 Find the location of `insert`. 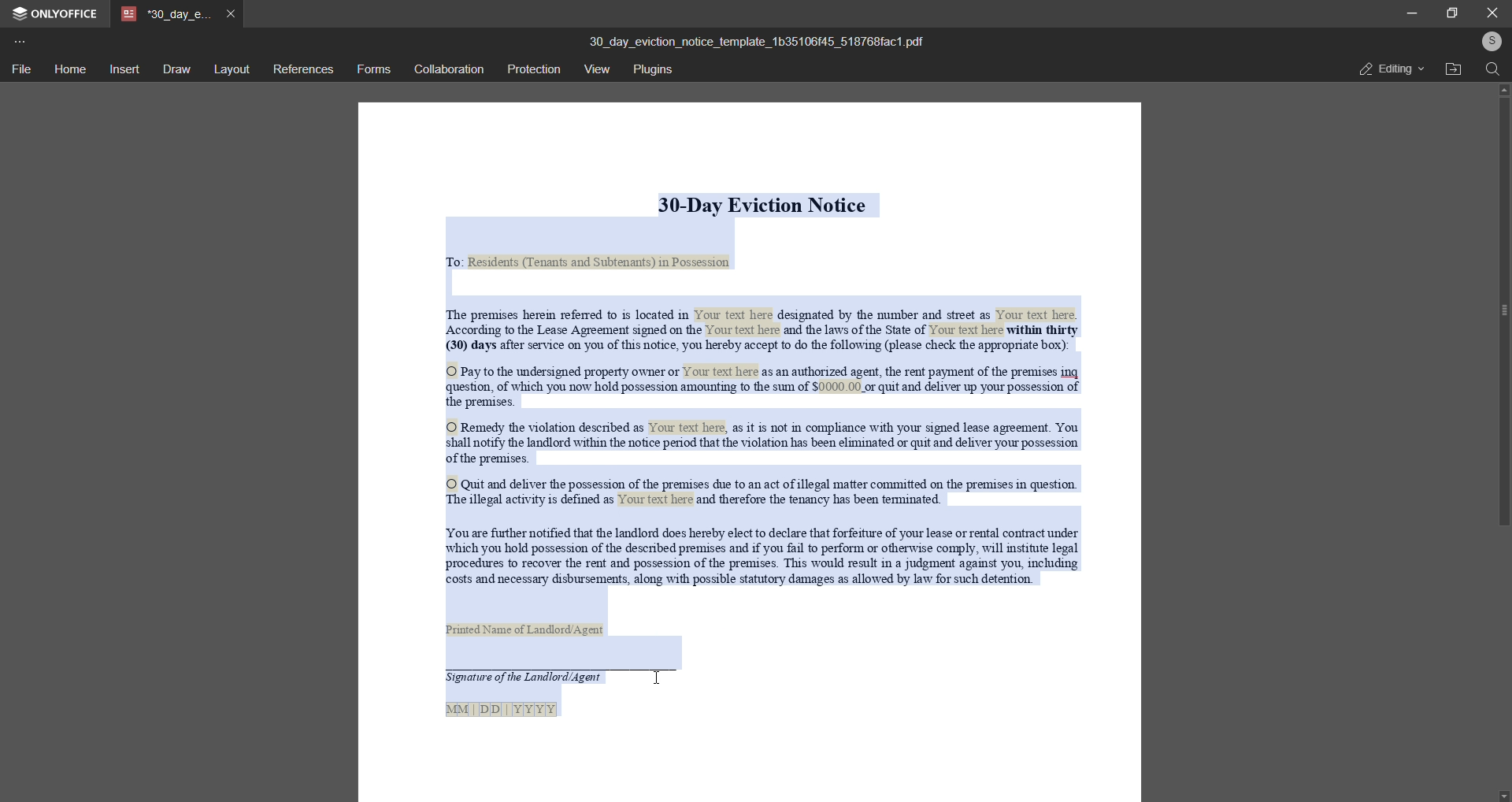

insert is located at coordinates (121, 70).